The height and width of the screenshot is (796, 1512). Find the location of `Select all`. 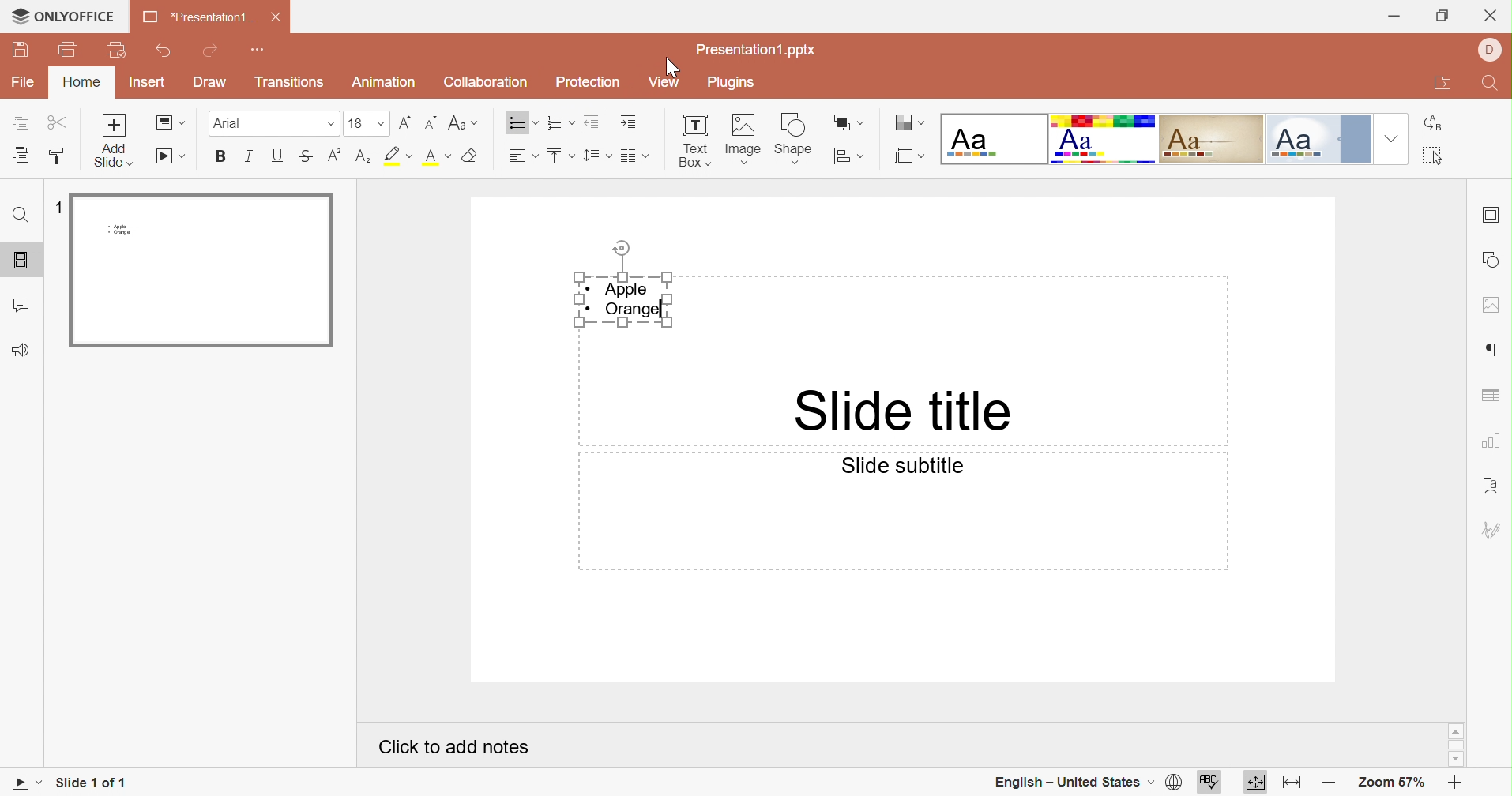

Select all is located at coordinates (1440, 159).